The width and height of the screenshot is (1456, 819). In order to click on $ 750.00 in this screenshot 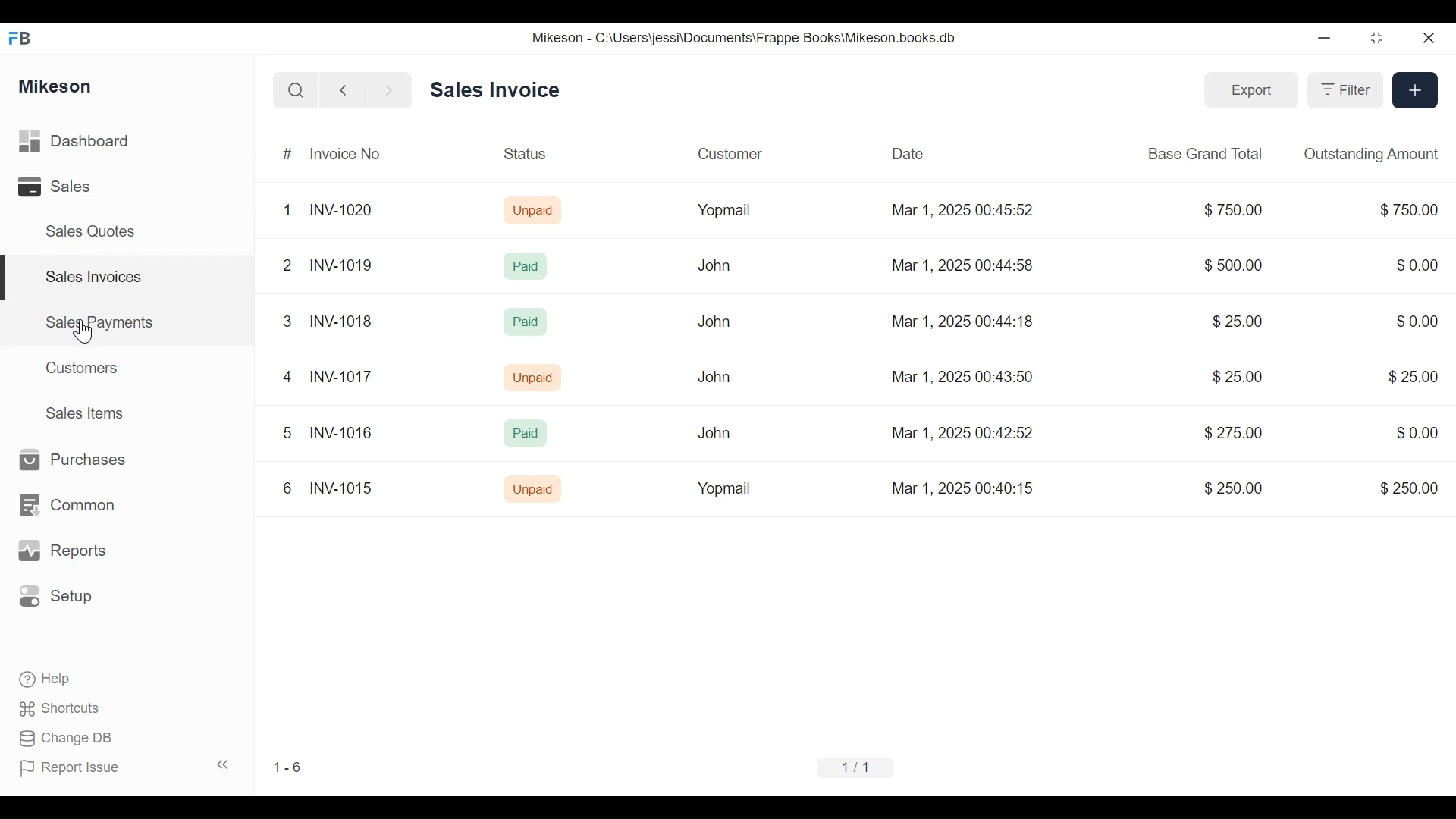, I will do `click(1229, 211)`.